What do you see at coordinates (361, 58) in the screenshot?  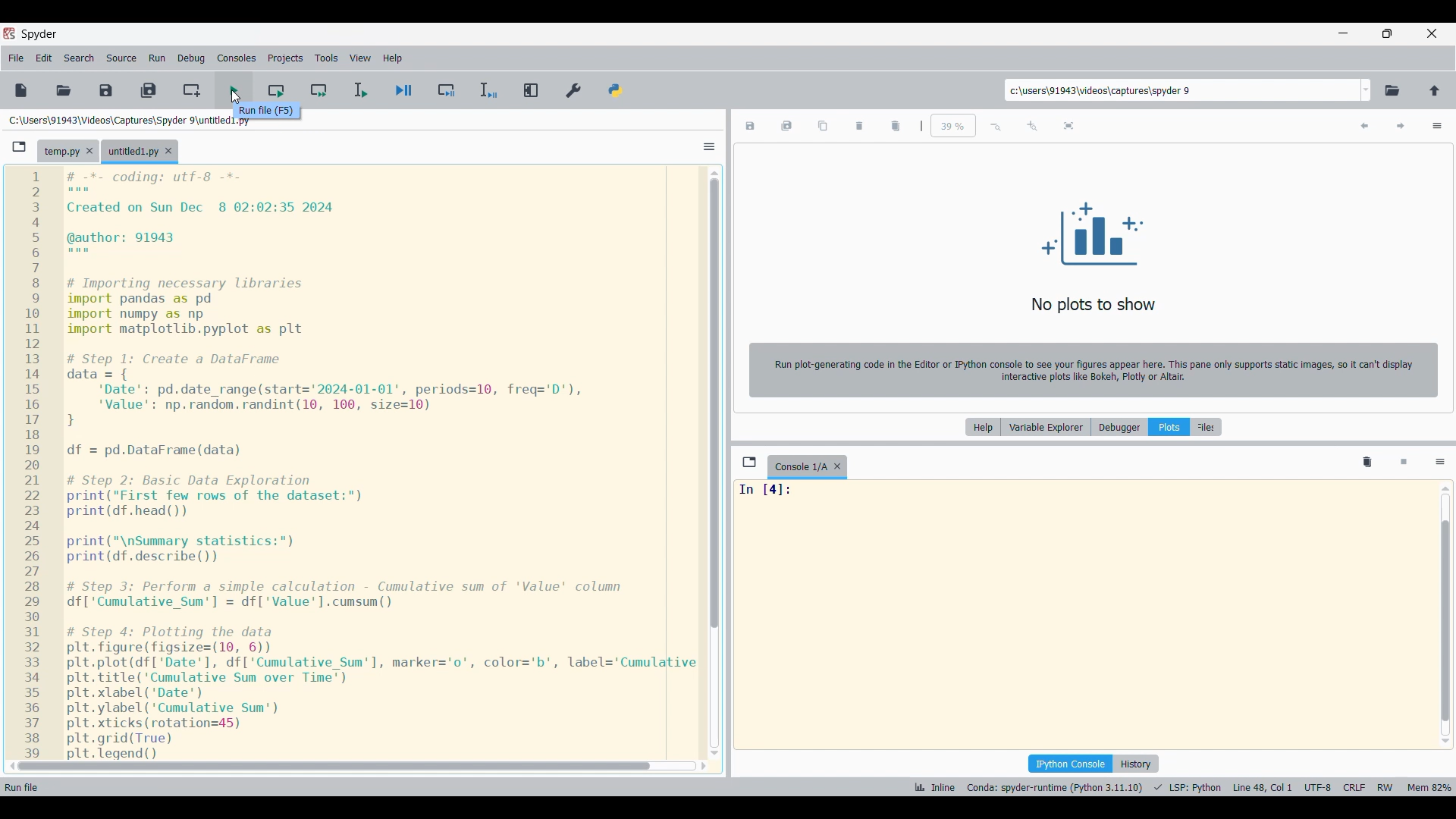 I see `View menu ` at bounding box center [361, 58].